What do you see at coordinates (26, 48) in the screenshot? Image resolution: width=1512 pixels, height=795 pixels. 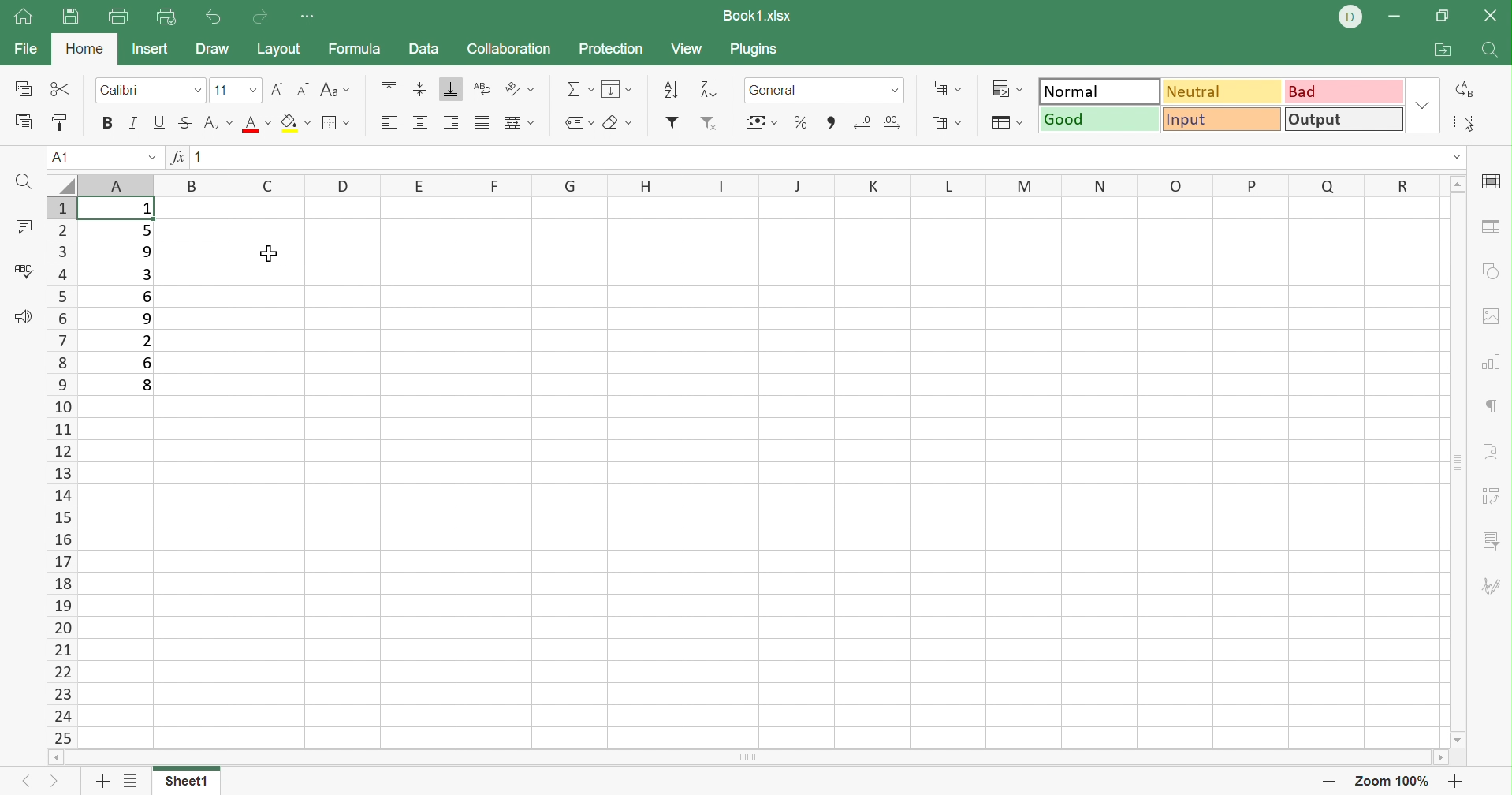 I see `File` at bounding box center [26, 48].